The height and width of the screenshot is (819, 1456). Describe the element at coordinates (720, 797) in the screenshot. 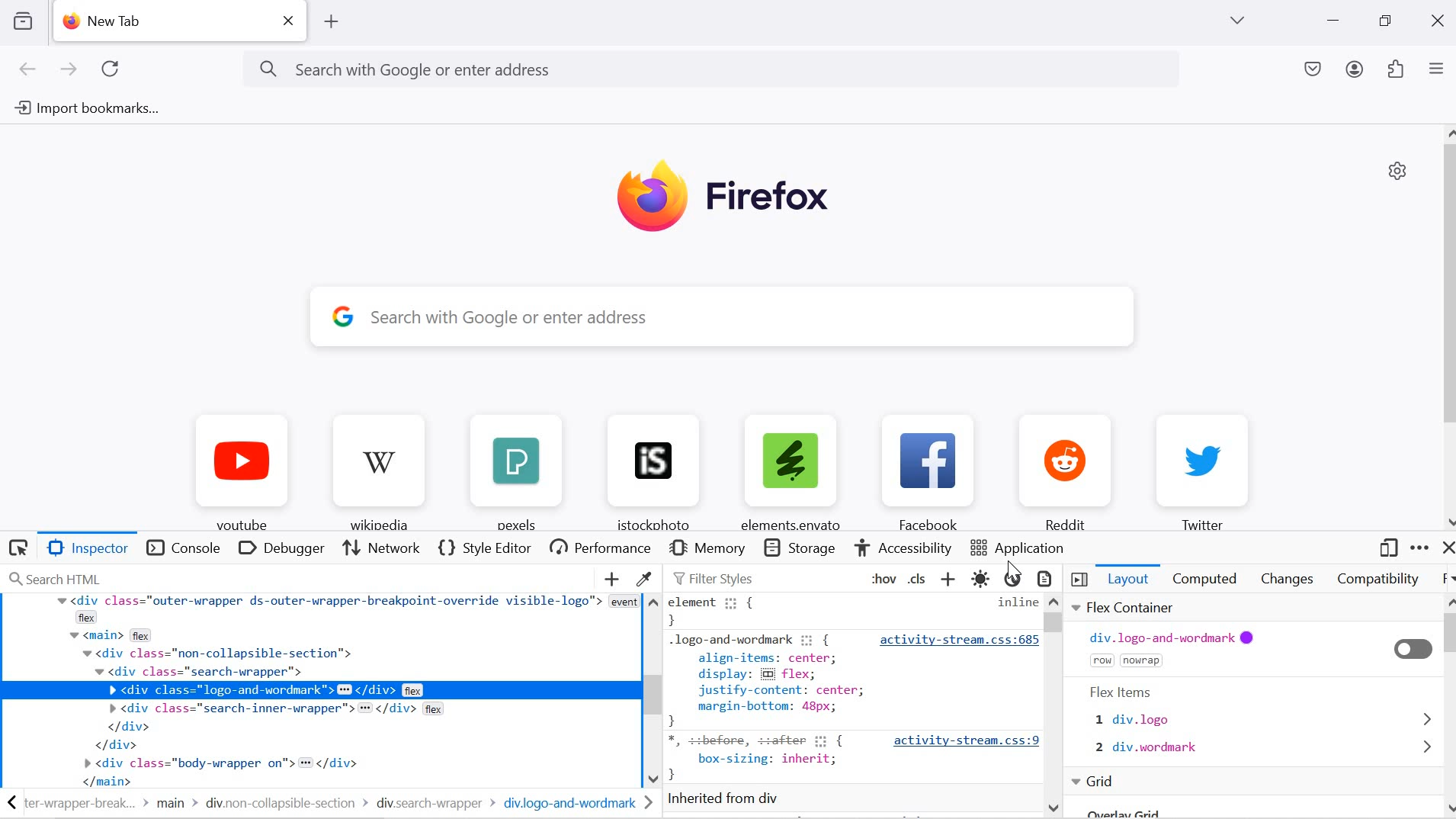

I see `inherited from div` at that location.